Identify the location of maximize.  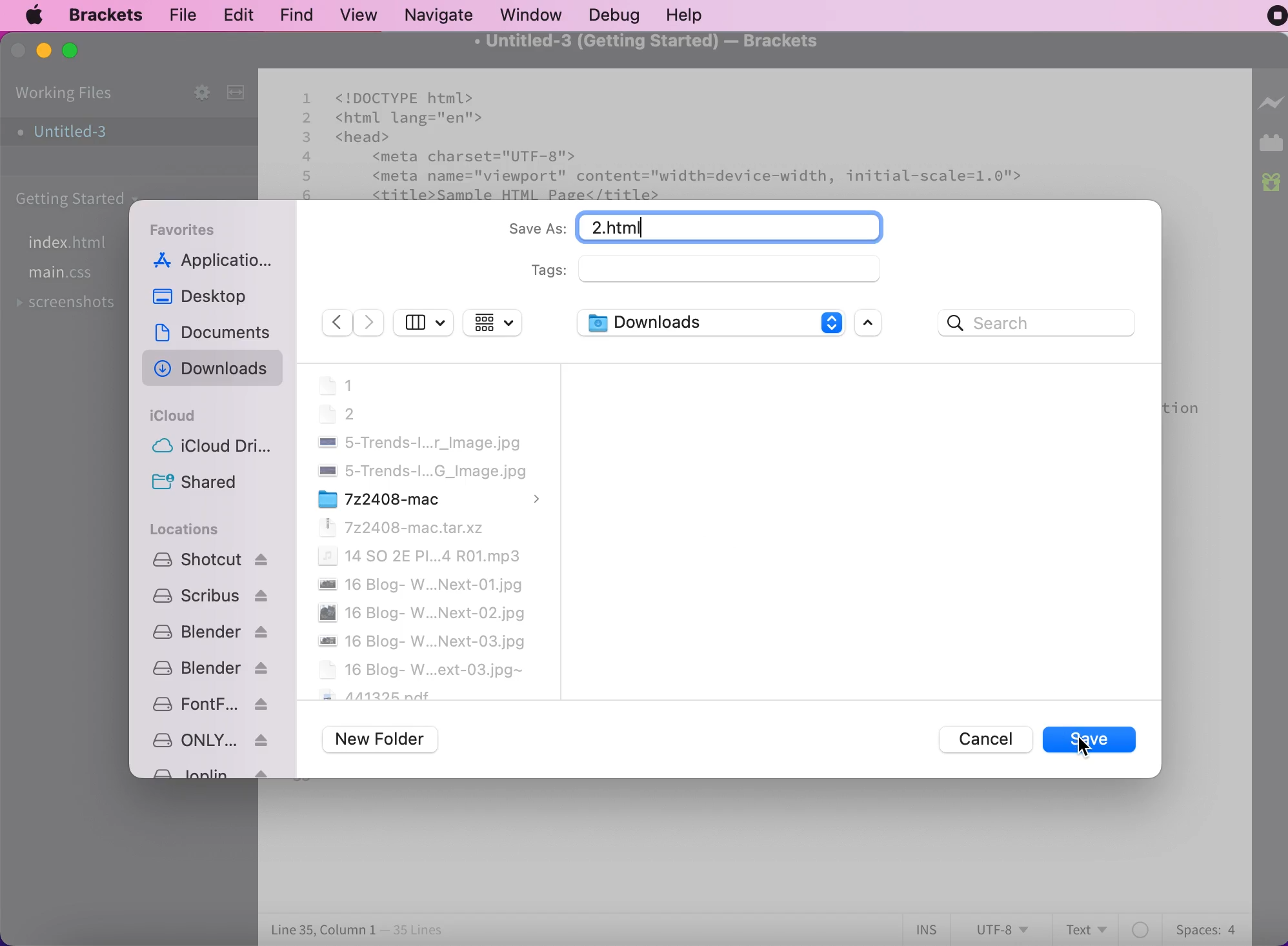
(72, 55).